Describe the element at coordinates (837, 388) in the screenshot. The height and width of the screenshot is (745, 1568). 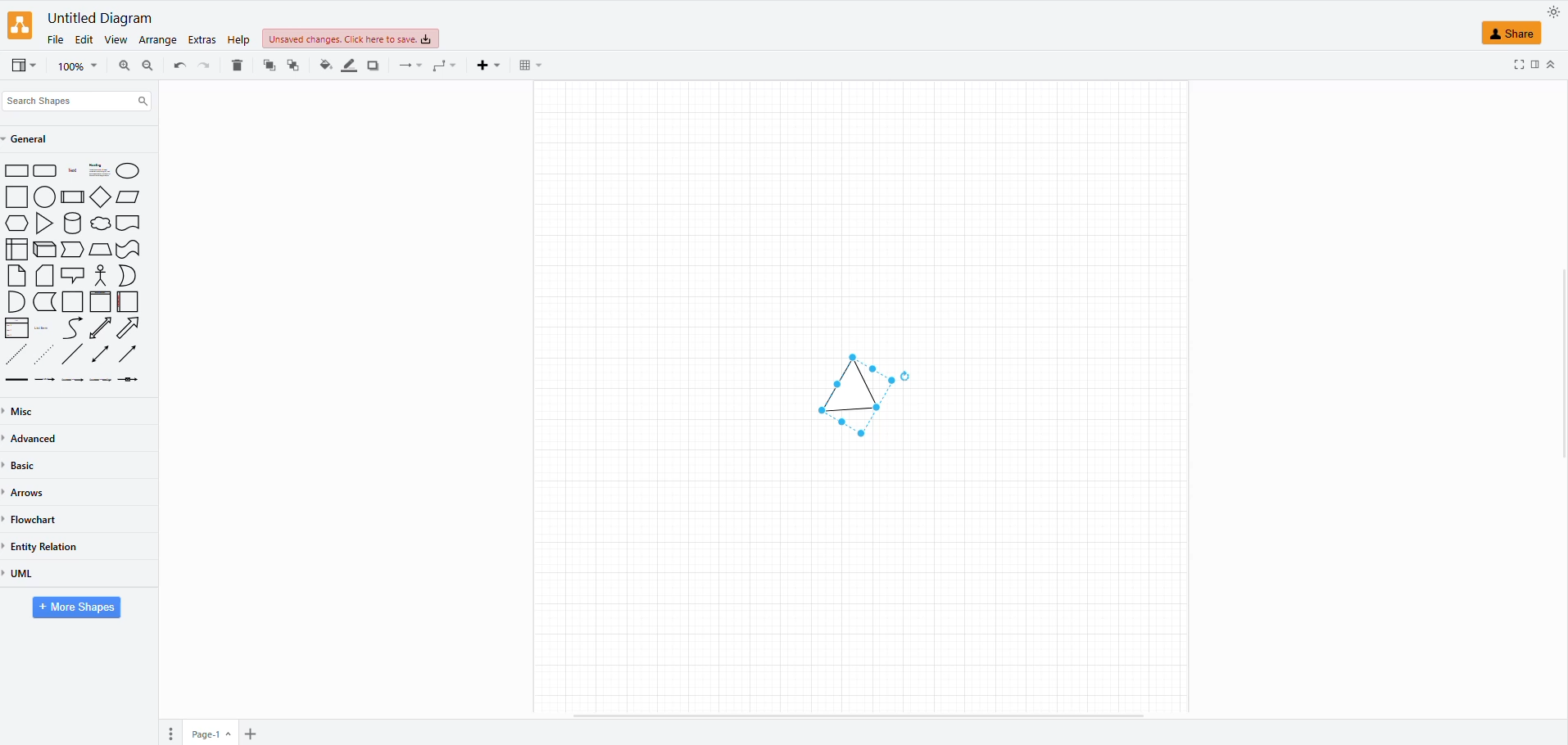
I see `shape` at that location.